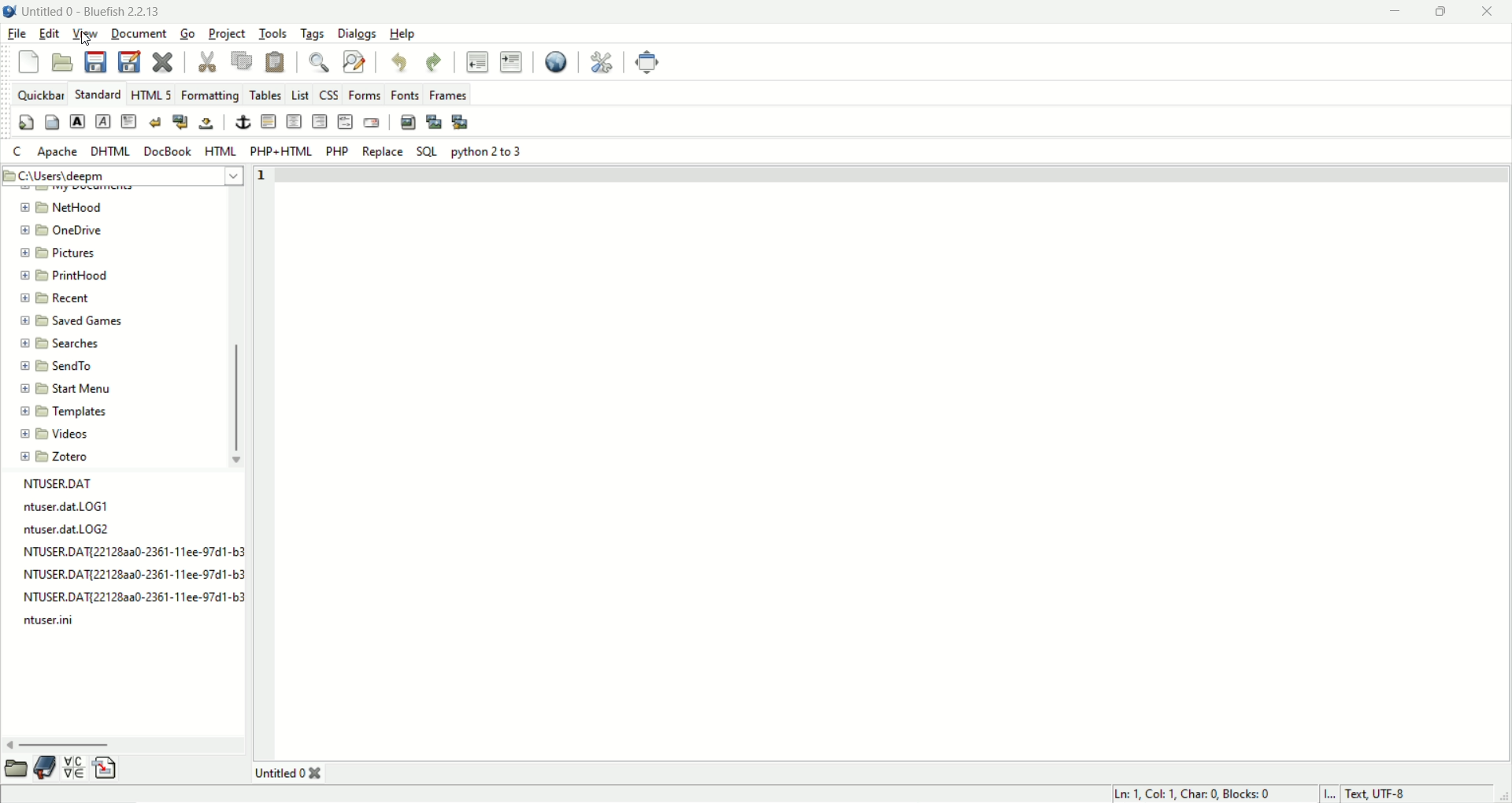  Describe the element at coordinates (265, 94) in the screenshot. I see `tables` at that location.